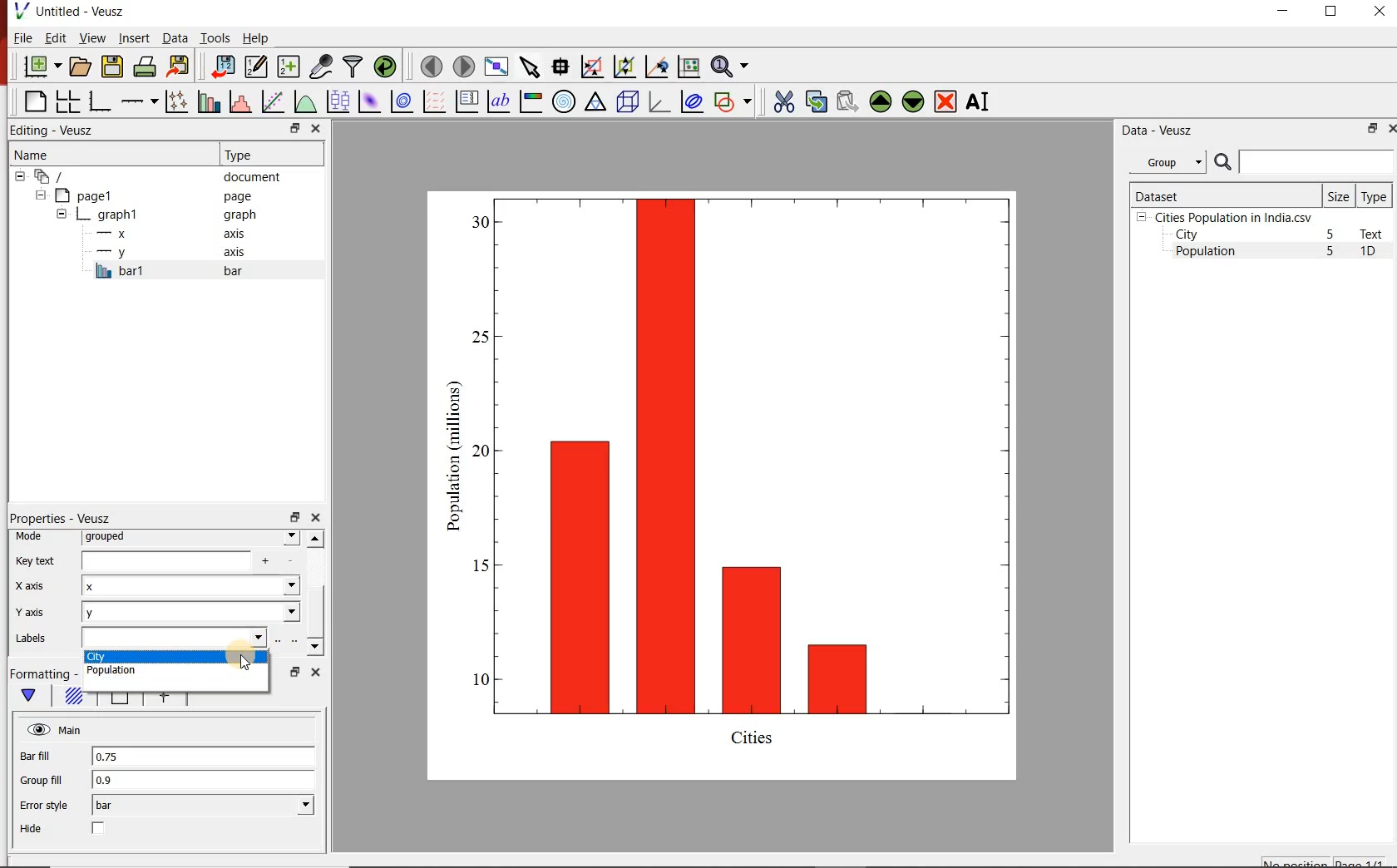 The height and width of the screenshot is (868, 1397). What do you see at coordinates (173, 657) in the screenshot?
I see `city` at bounding box center [173, 657].